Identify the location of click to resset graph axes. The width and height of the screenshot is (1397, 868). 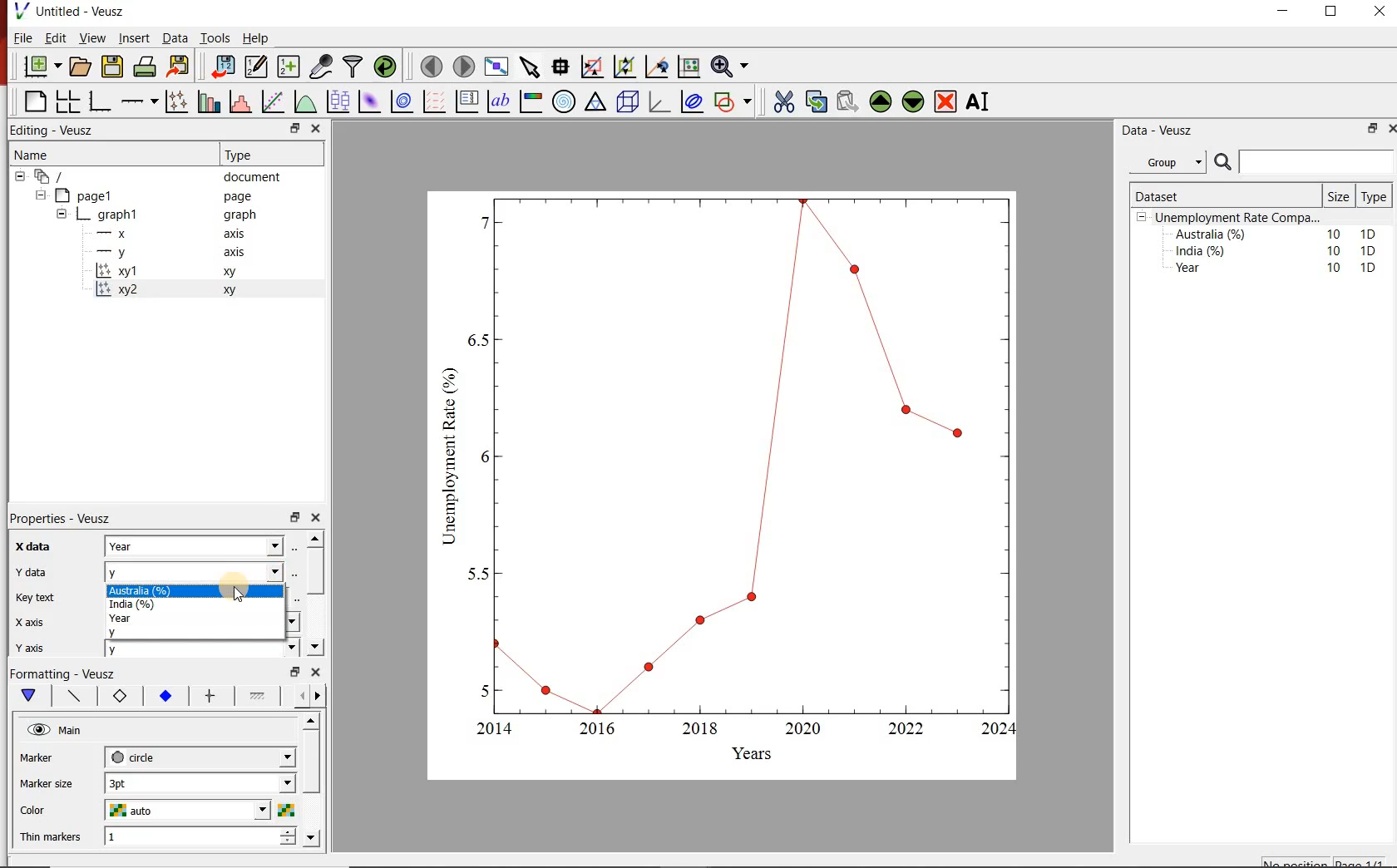
(689, 65).